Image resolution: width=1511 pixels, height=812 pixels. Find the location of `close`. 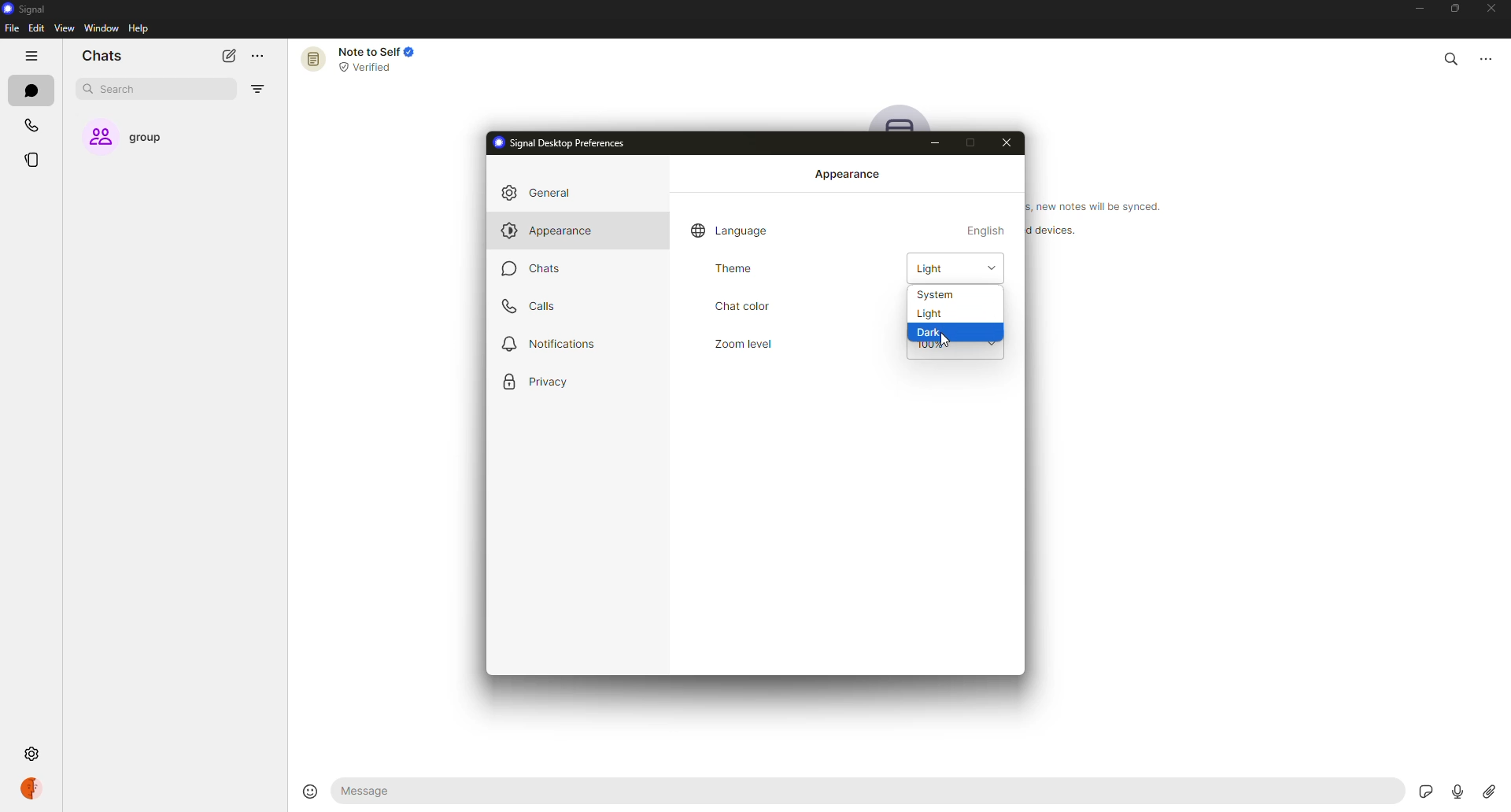

close is located at coordinates (1008, 142).